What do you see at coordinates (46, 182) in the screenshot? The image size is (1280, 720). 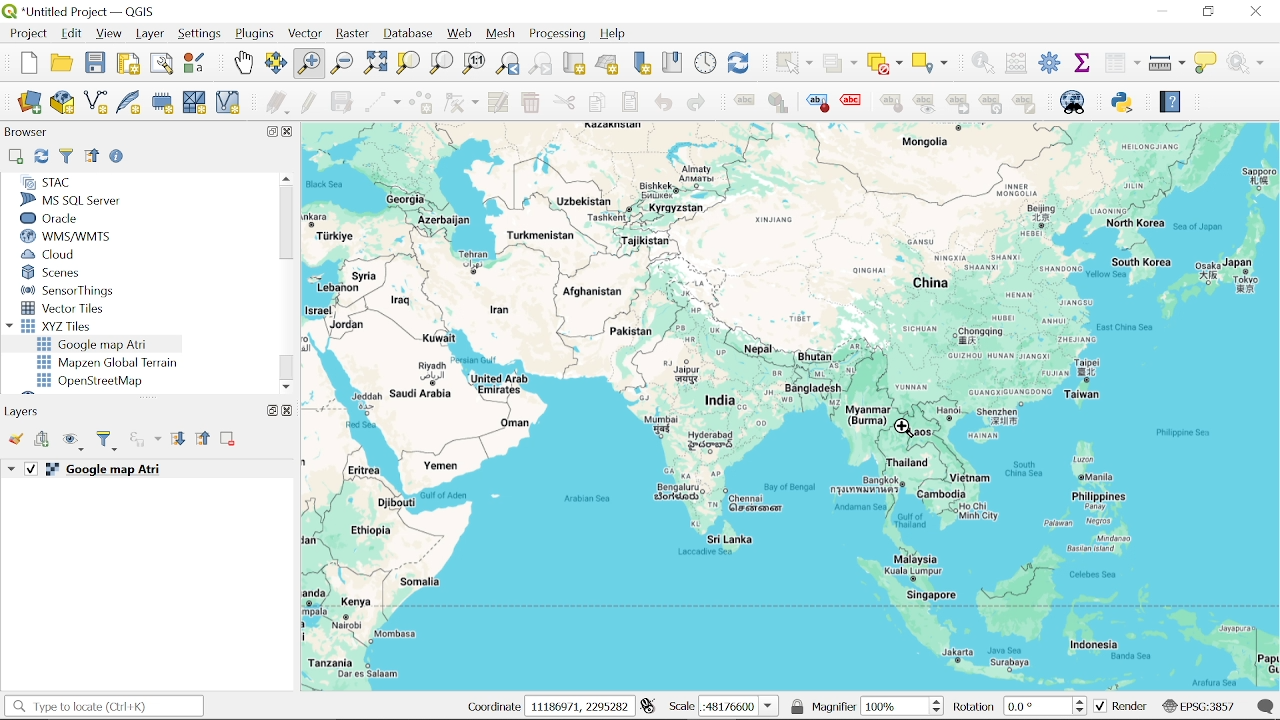 I see `STAC` at bounding box center [46, 182].